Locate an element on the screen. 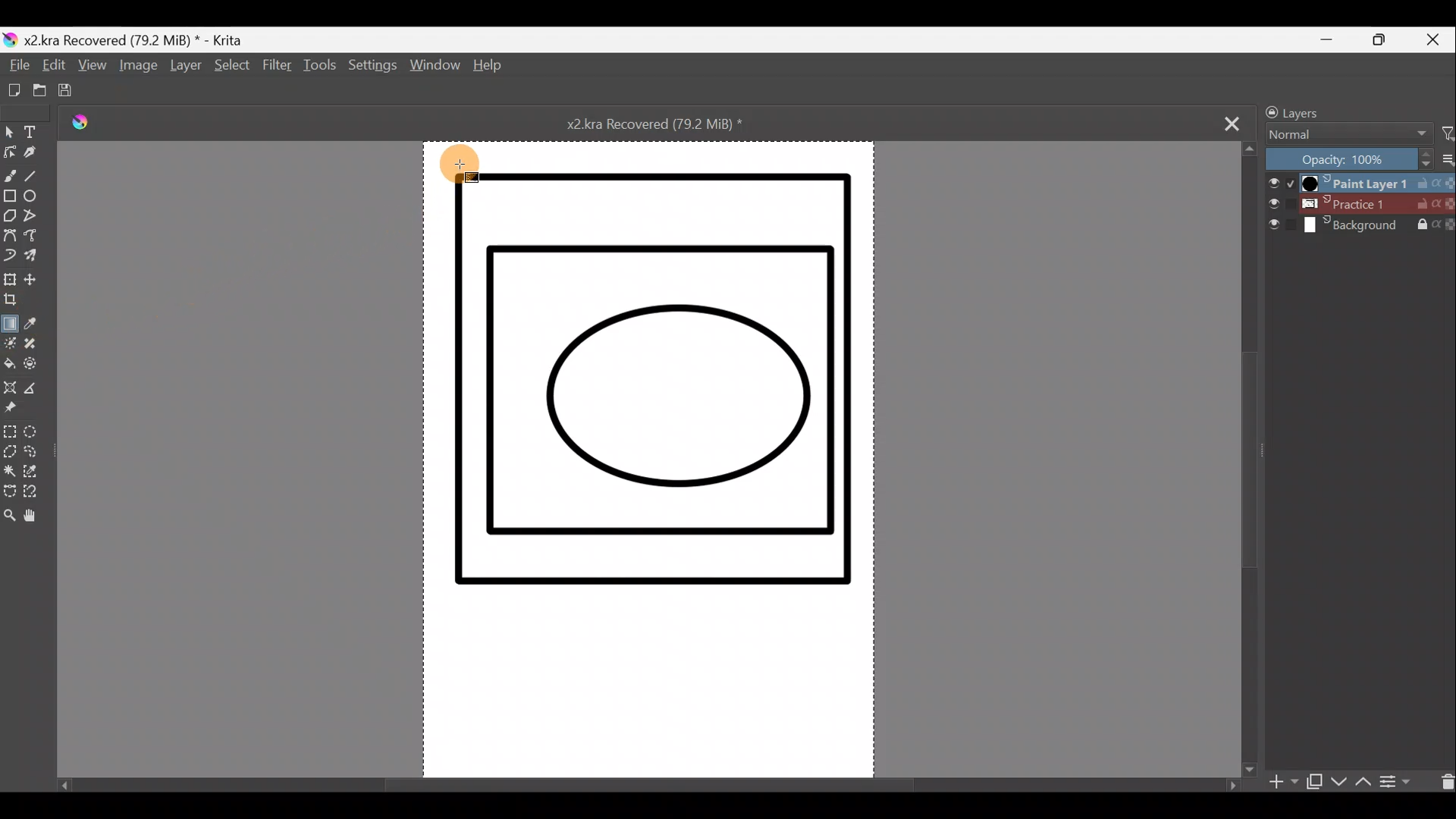 The height and width of the screenshot is (819, 1456). Krita logo is located at coordinates (90, 125).